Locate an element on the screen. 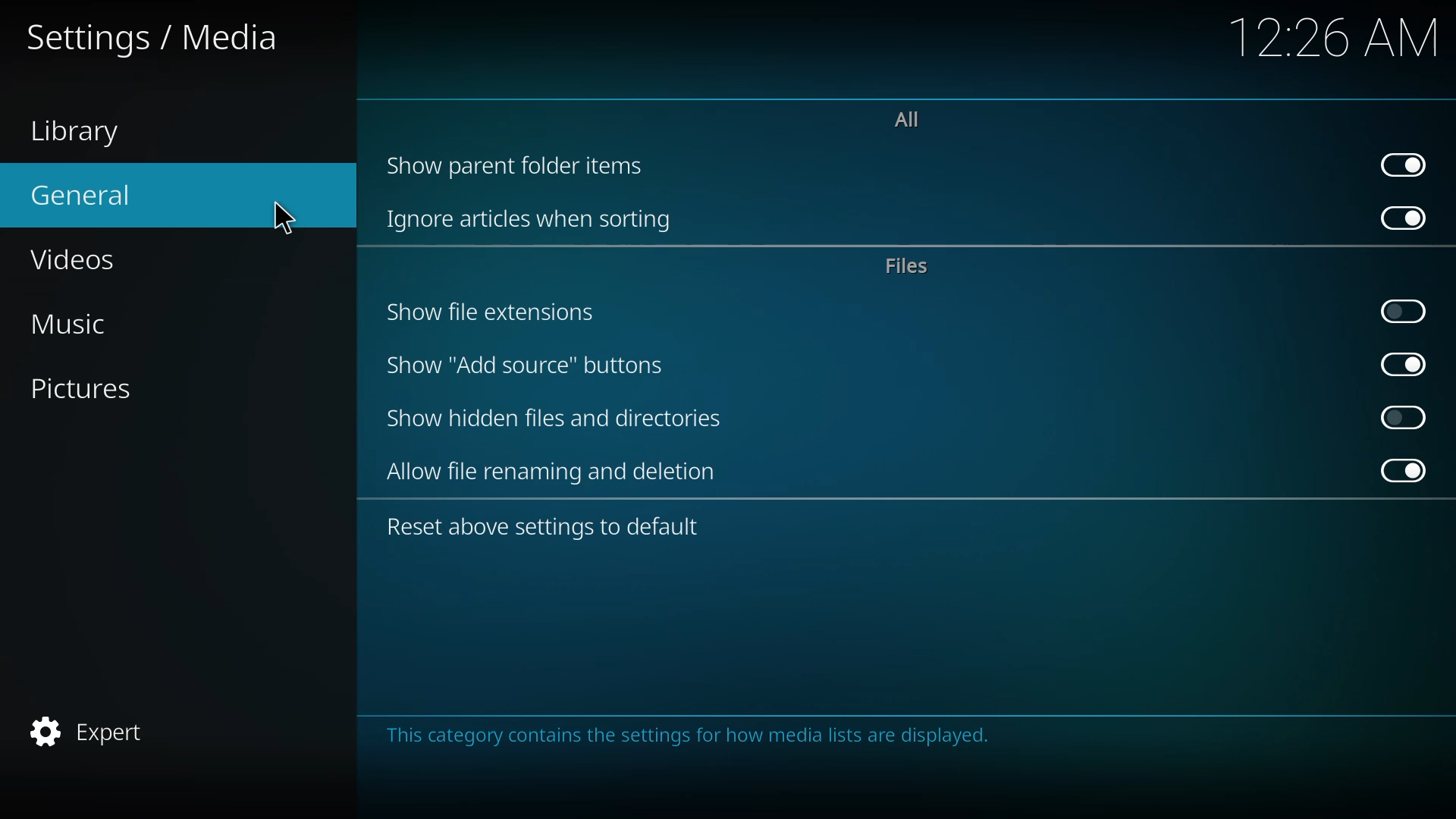  pictures is located at coordinates (99, 390).